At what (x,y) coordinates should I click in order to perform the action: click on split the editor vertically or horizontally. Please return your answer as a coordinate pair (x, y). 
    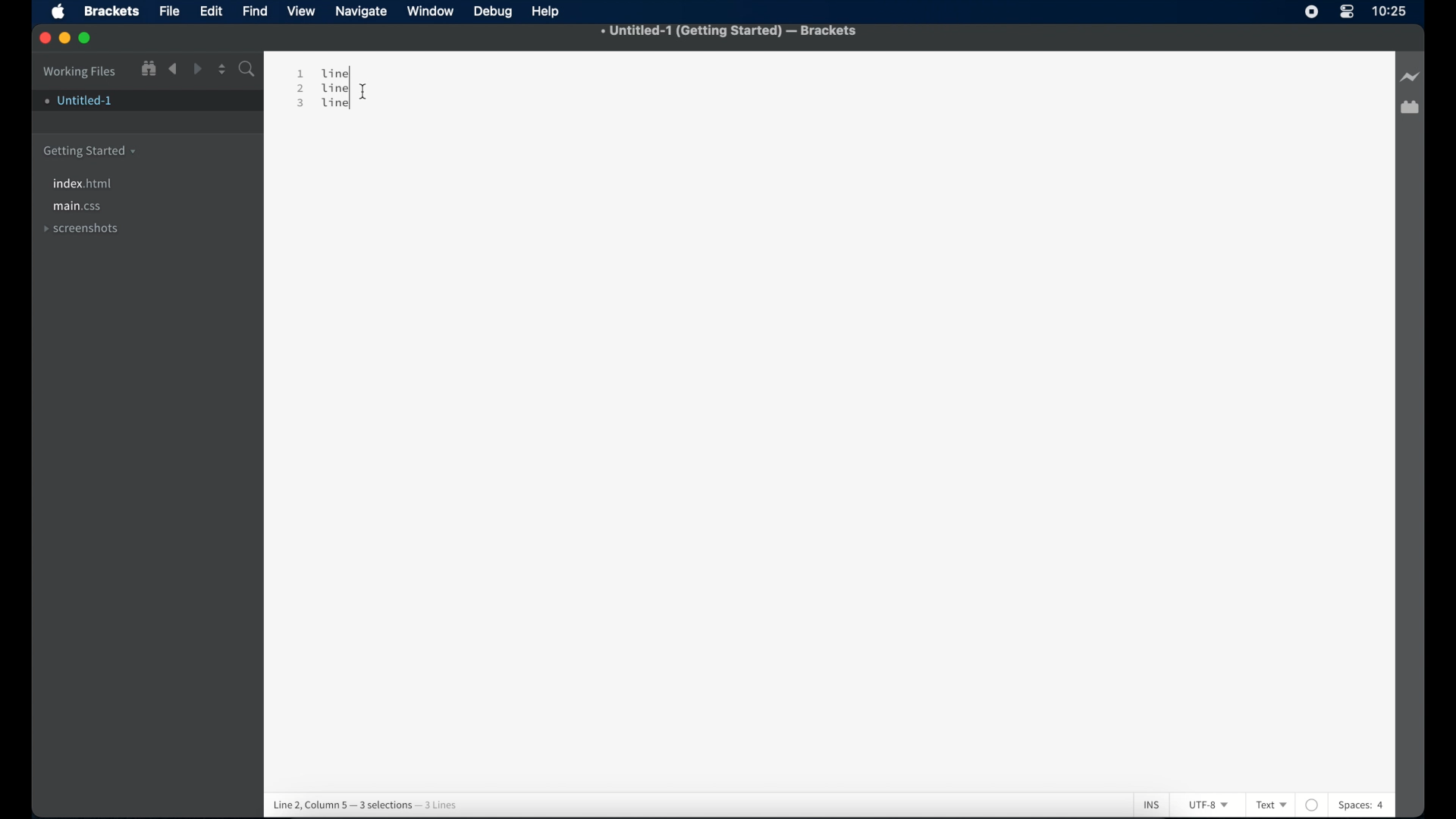
    Looking at the image, I should click on (222, 70).